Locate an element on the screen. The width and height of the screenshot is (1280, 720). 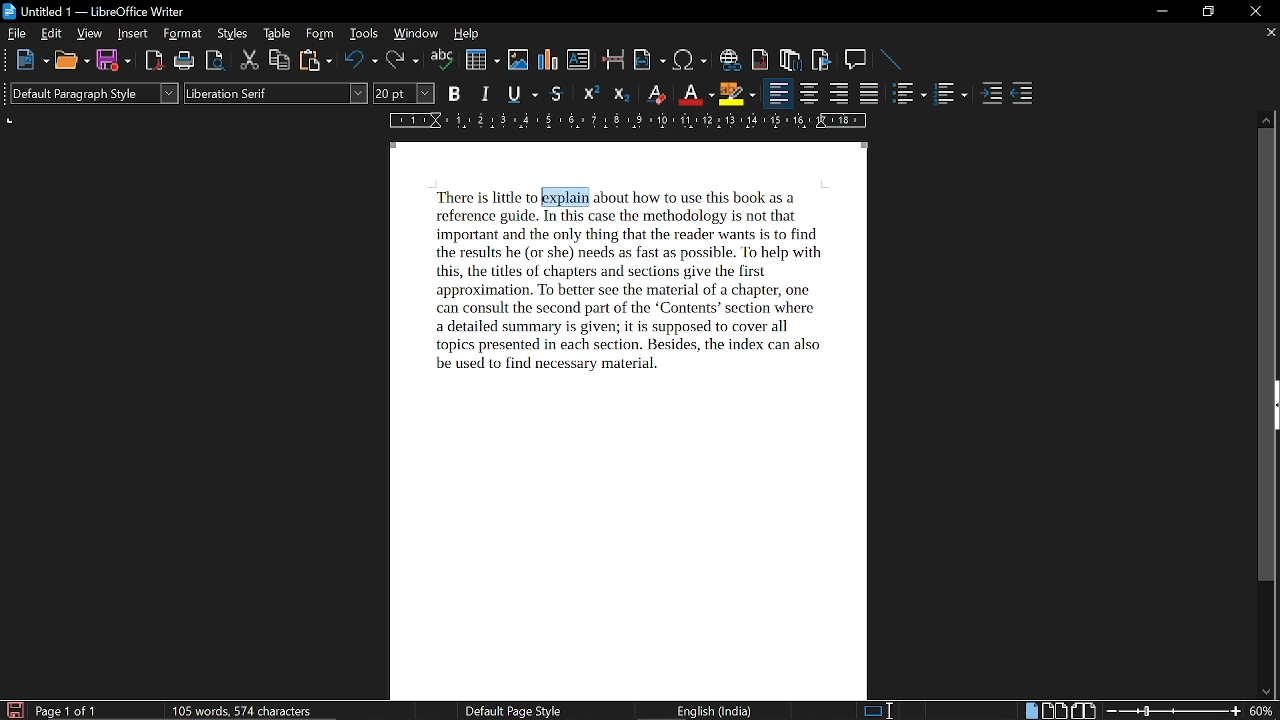
toggle unordered list is located at coordinates (950, 95).